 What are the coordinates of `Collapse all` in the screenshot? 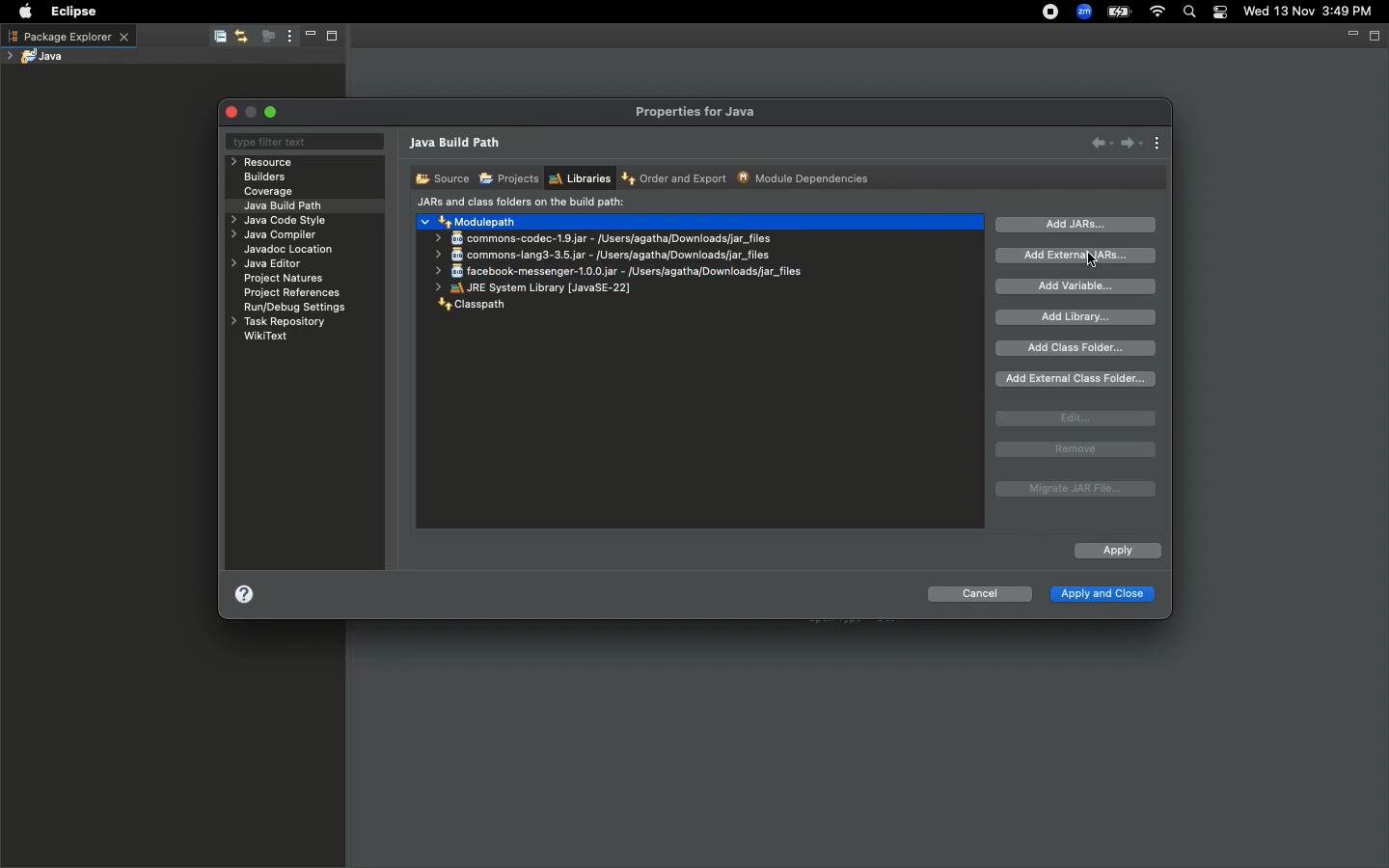 It's located at (218, 38).